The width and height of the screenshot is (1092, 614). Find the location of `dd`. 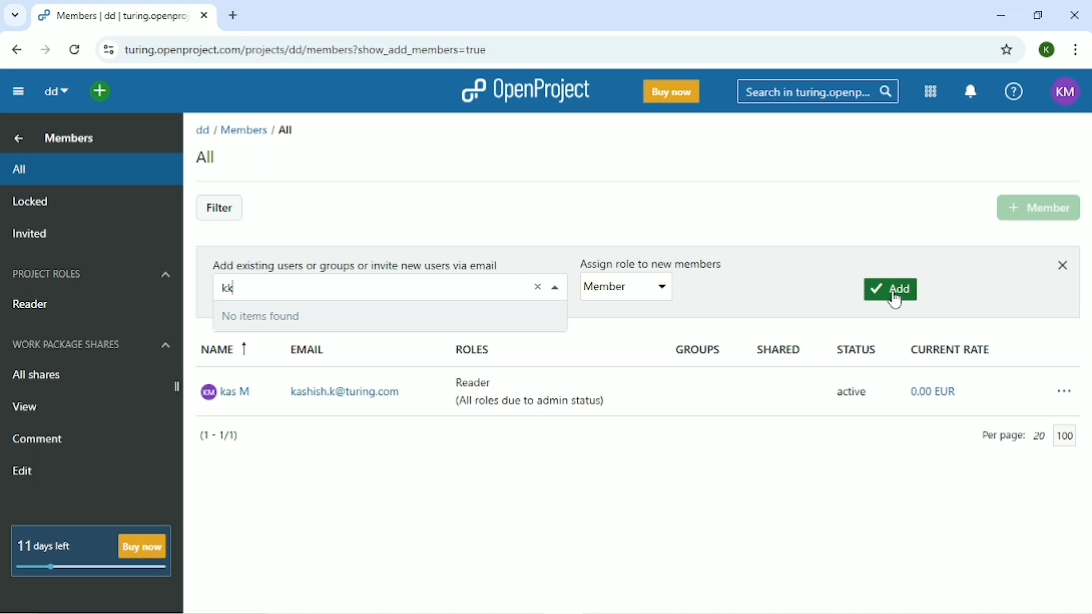

dd is located at coordinates (202, 130).